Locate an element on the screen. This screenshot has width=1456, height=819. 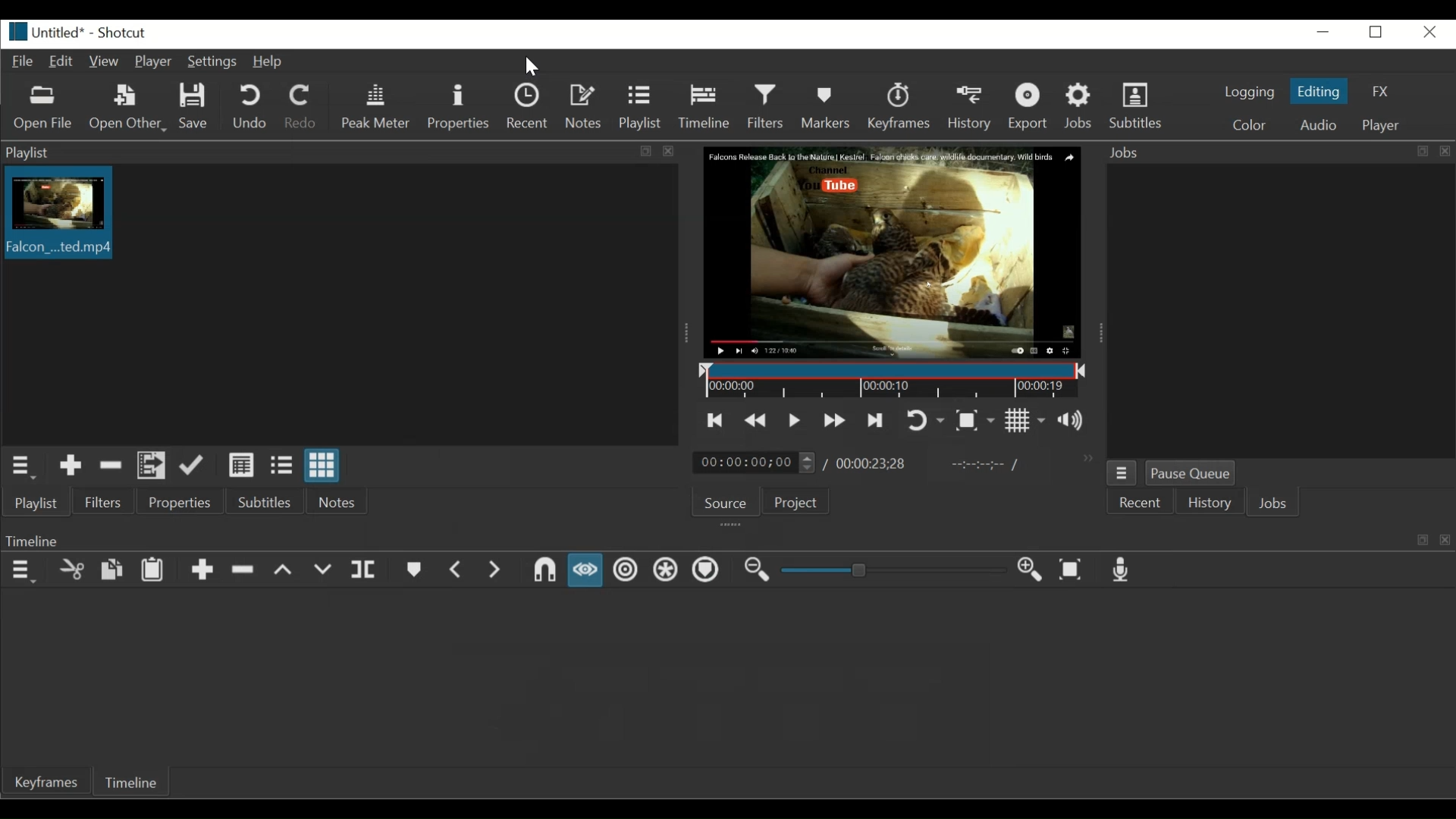
Ripple  is located at coordinates (626, 569).